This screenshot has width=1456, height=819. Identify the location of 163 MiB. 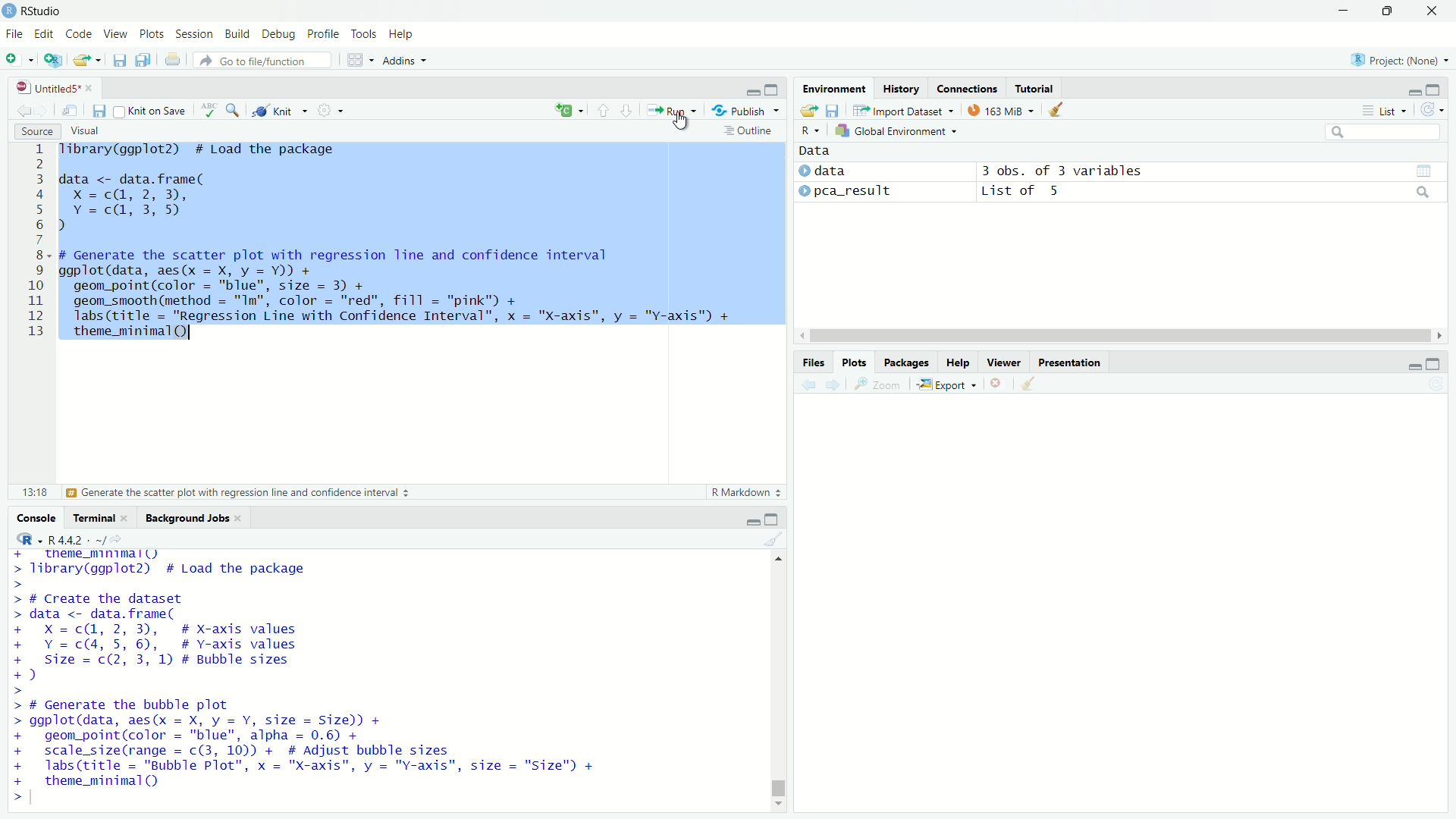
(1000, 109).